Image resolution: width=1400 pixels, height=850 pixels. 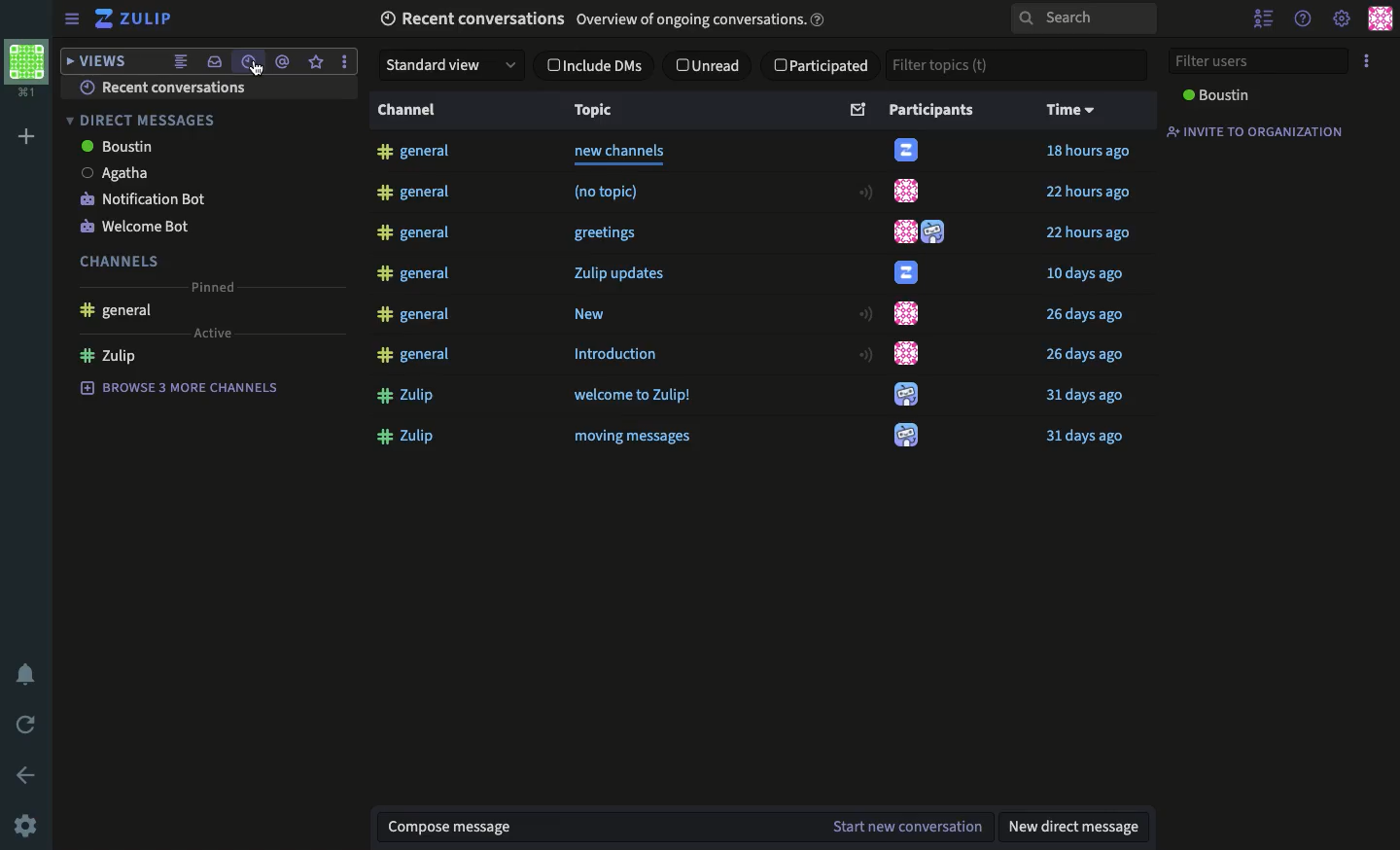 What do you see at coordinates (1262, 61) in the screenshot?
I see `filter users` at bounding box center [1262, 61].